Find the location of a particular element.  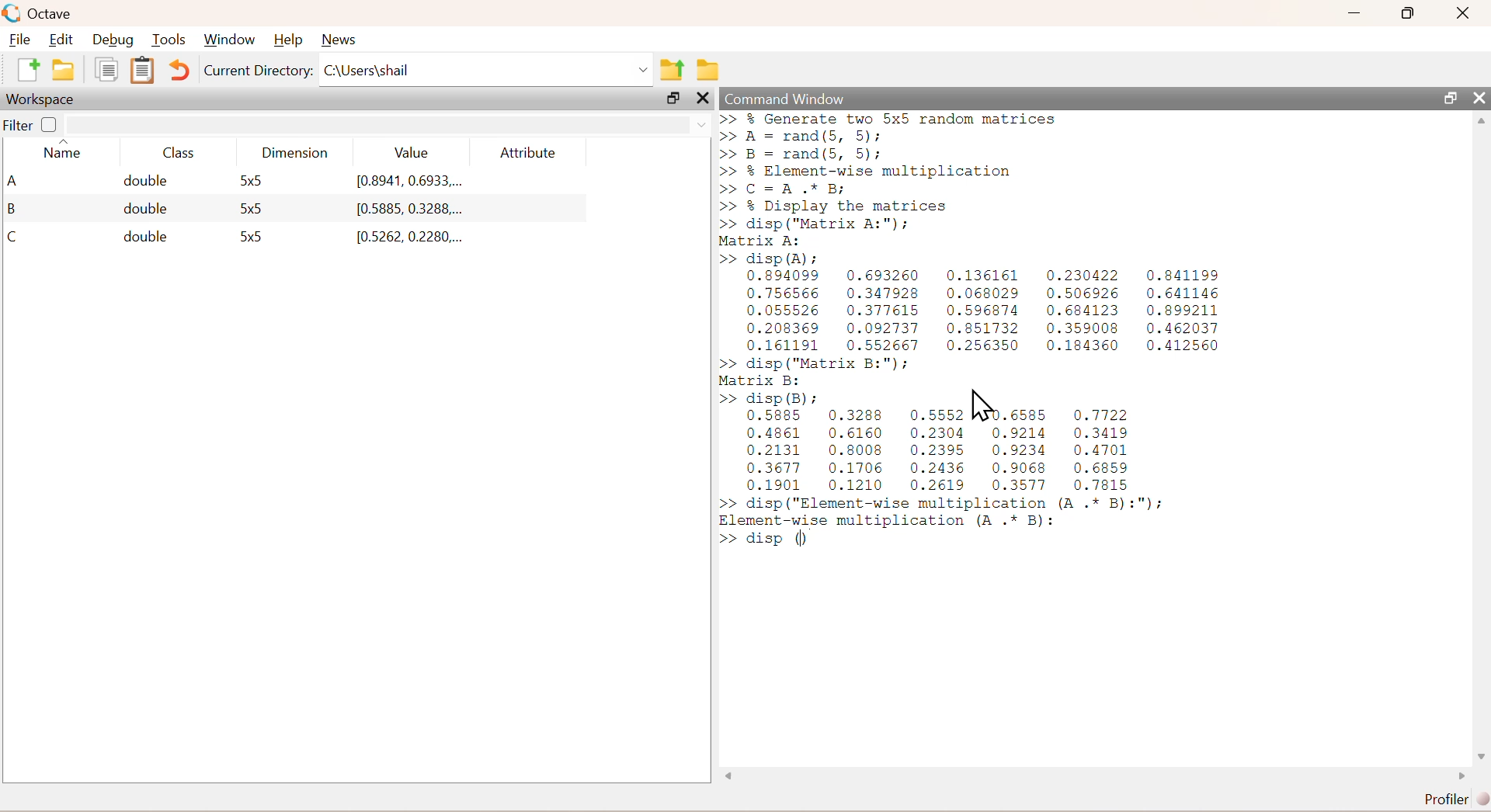

Window is located at coordinates (231, 37).